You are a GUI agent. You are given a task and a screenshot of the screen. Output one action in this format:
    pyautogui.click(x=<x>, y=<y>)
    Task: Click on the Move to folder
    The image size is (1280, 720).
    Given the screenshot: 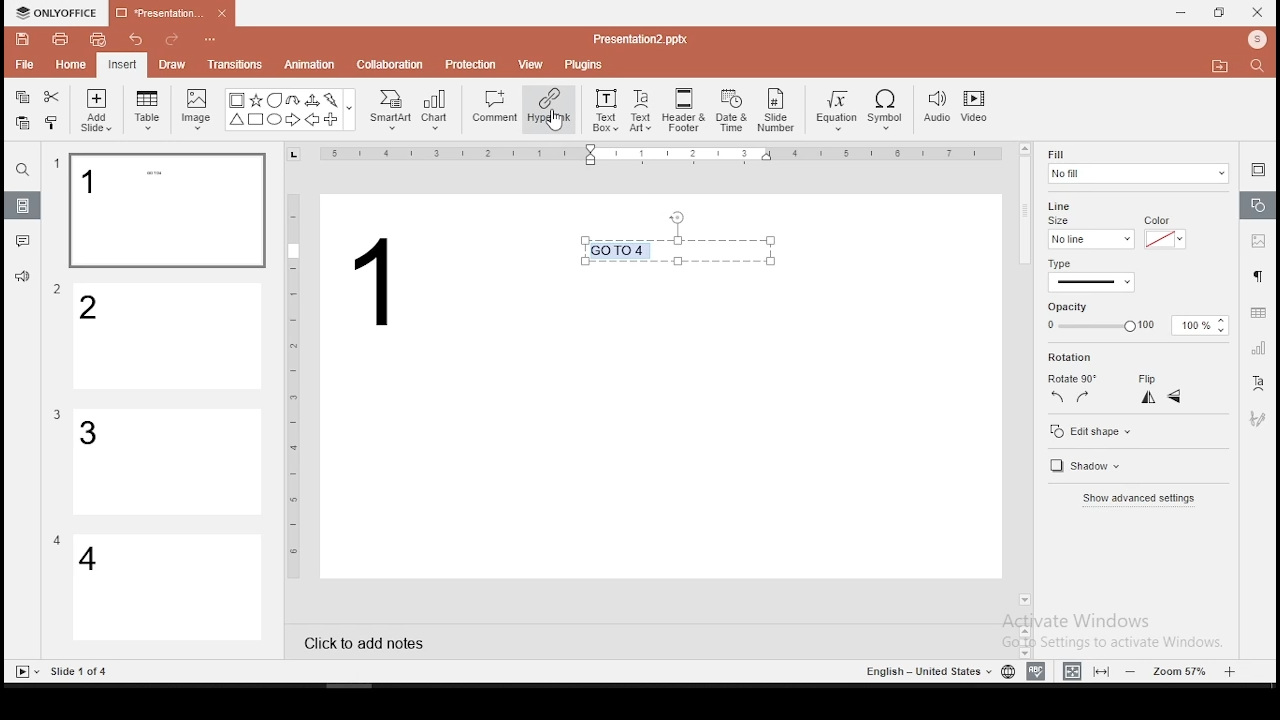 What is the action you would take?
    pyautogui.click(x=1223, y=68)
    